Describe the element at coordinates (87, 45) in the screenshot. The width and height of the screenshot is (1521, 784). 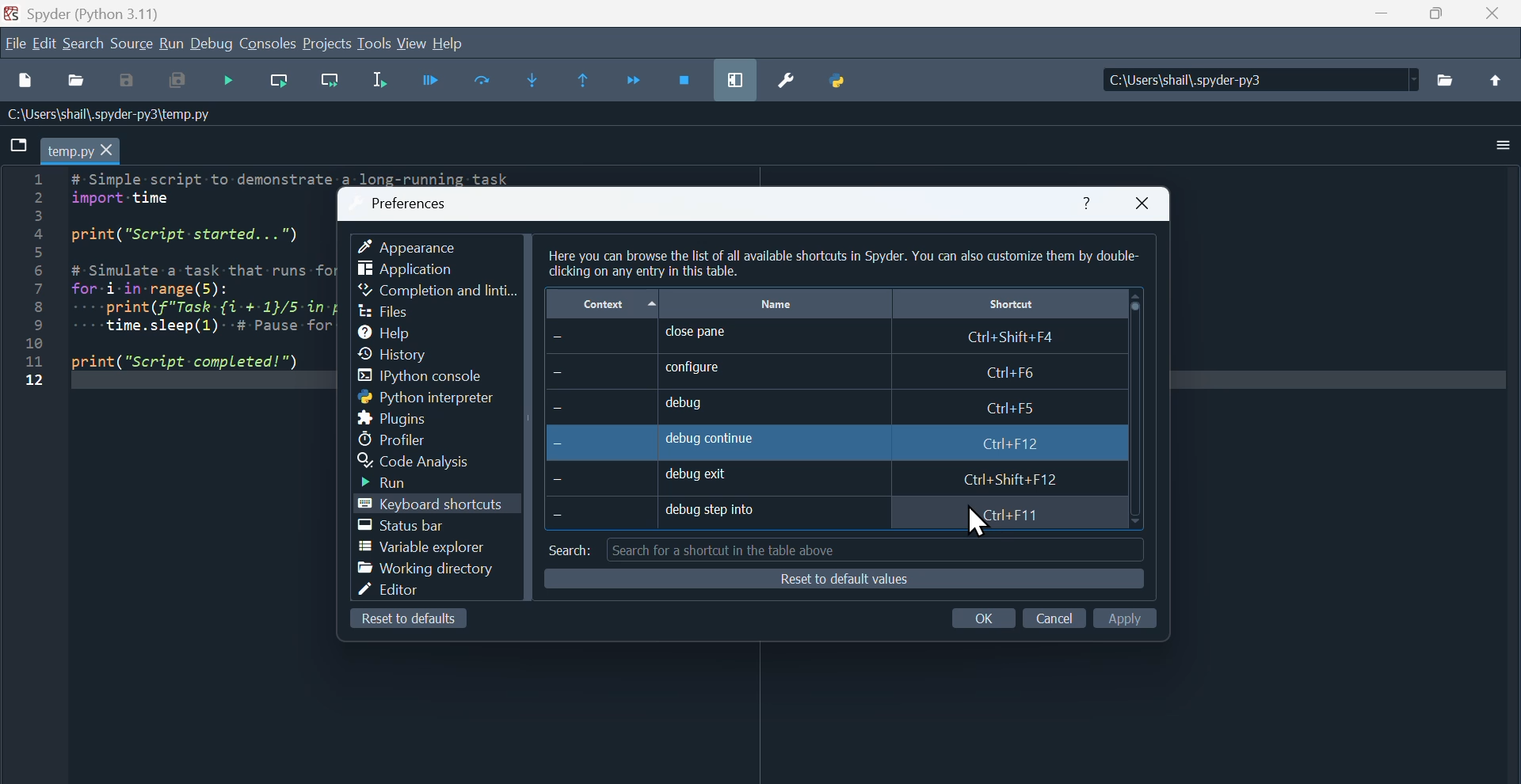
I see `Search` at that location.